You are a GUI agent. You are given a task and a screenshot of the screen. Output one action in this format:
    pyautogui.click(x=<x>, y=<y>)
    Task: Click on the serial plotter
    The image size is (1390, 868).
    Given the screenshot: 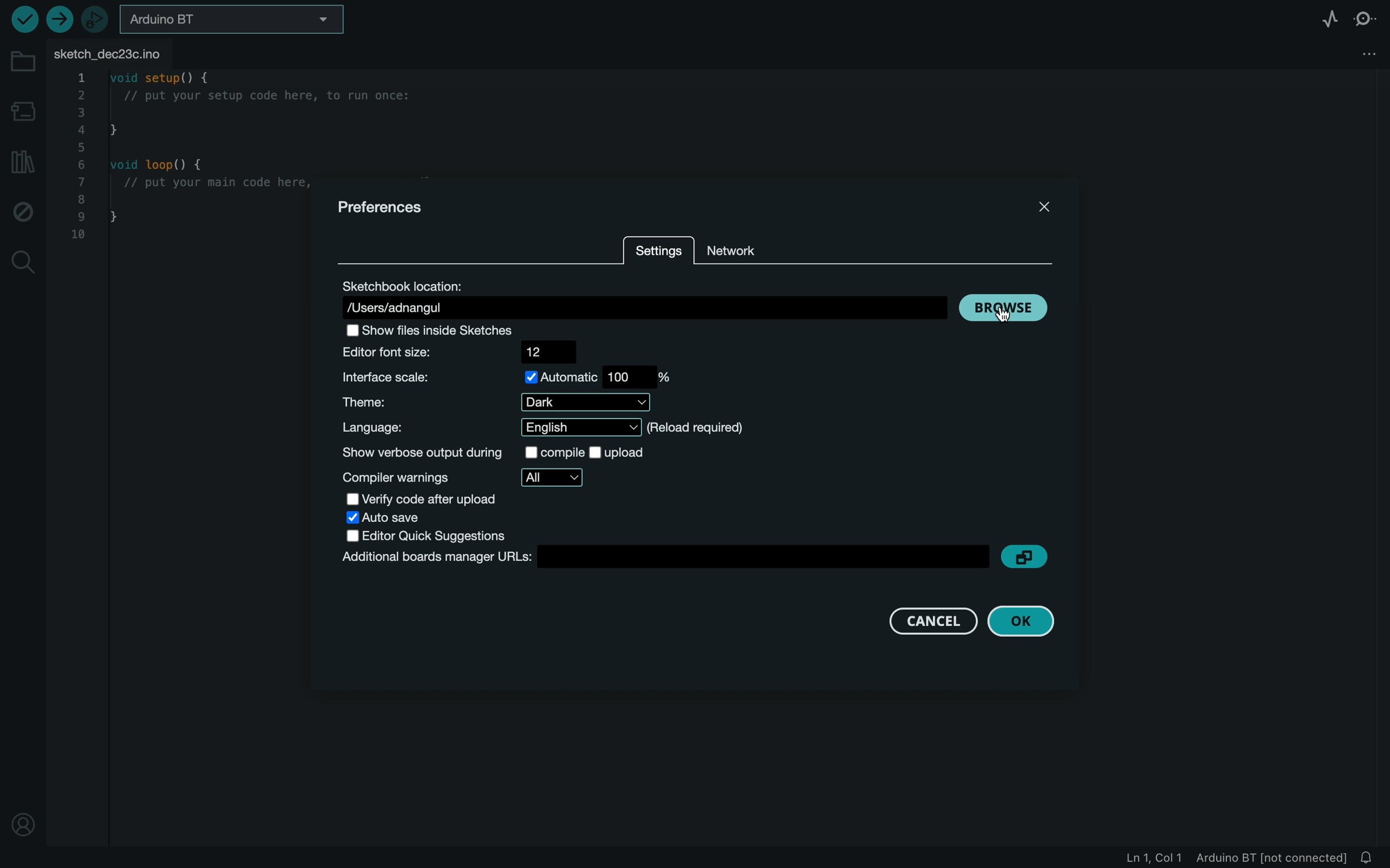 What is the action you would take?
    pyautogui.click(x=1323, y=18)
    